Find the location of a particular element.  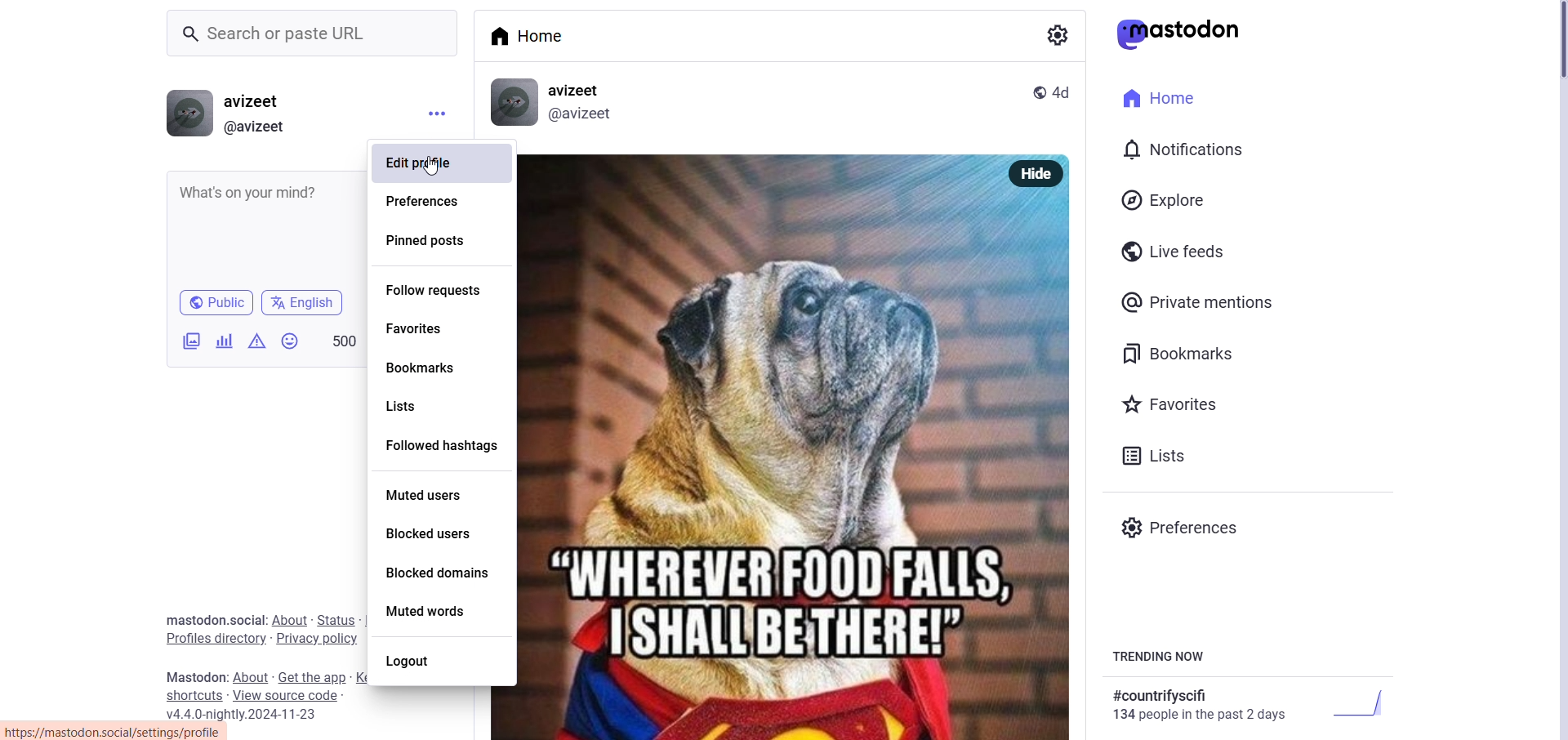

shortcut is located at coordinates (192, 695).